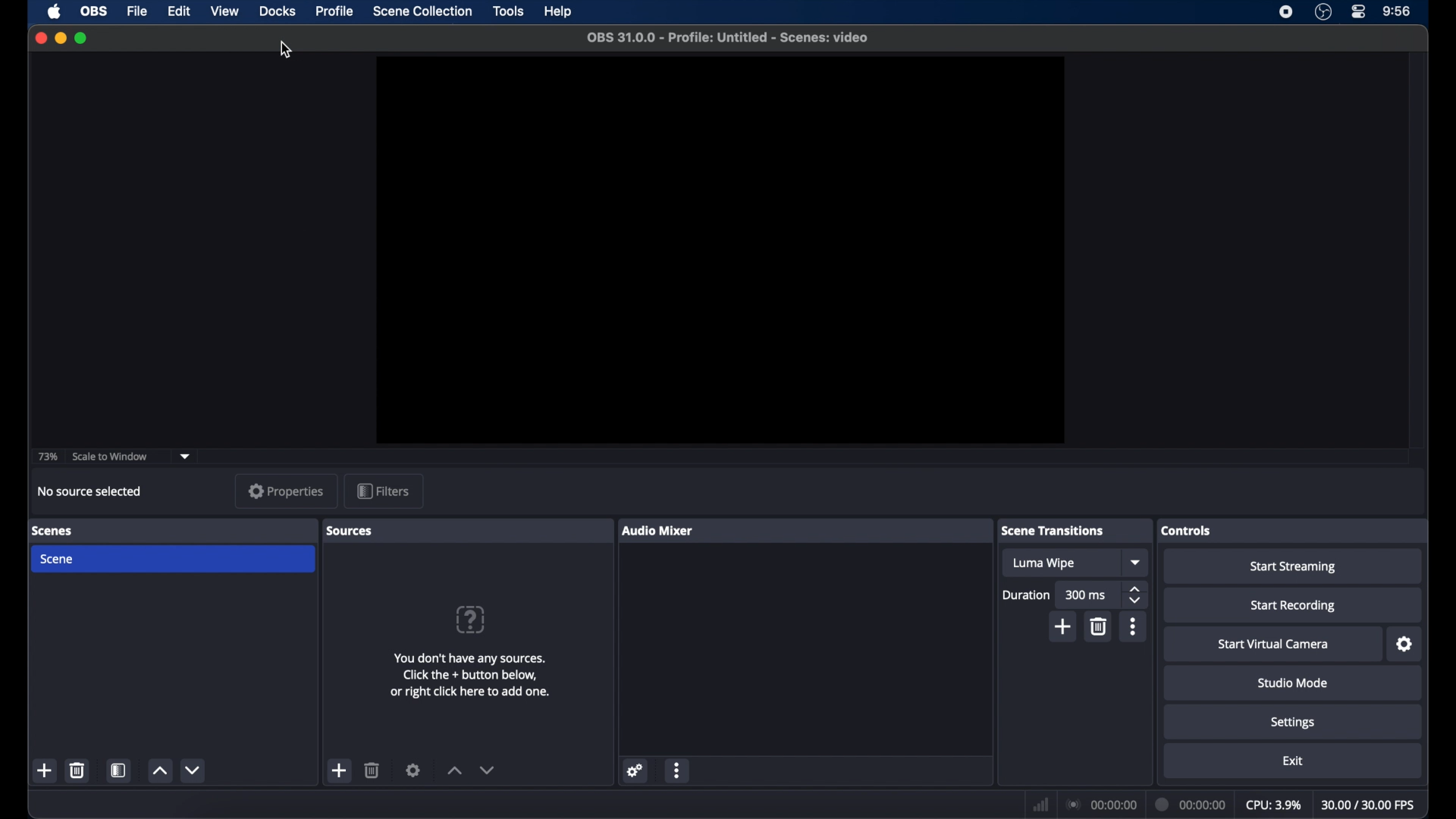 Image resolution: width=1456 pixels, height=819 pixels. Describe the element at coordinates (77, 770) in the screenshot. I see `delete` at that location.